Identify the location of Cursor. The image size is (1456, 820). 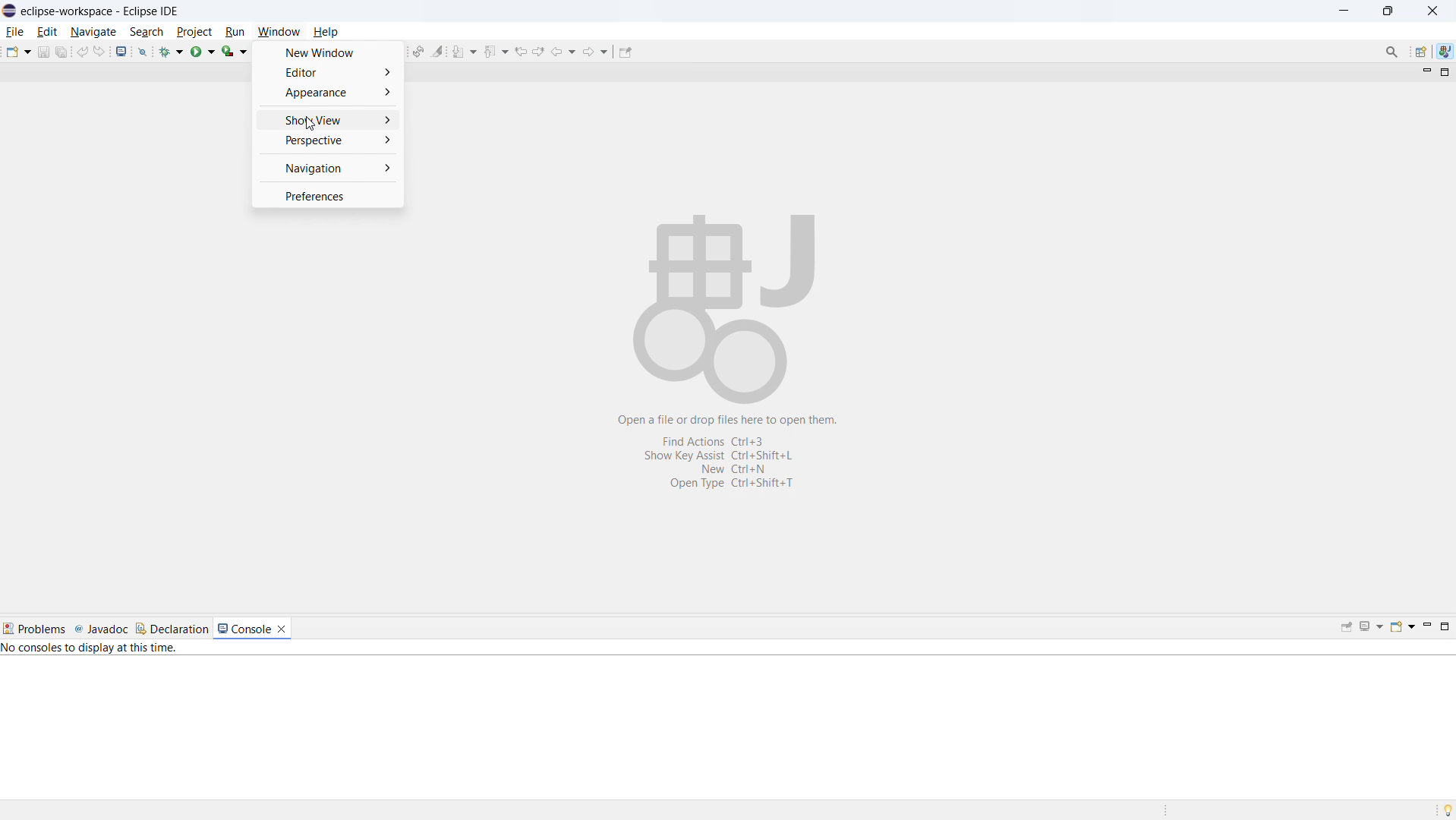
(312, 124).